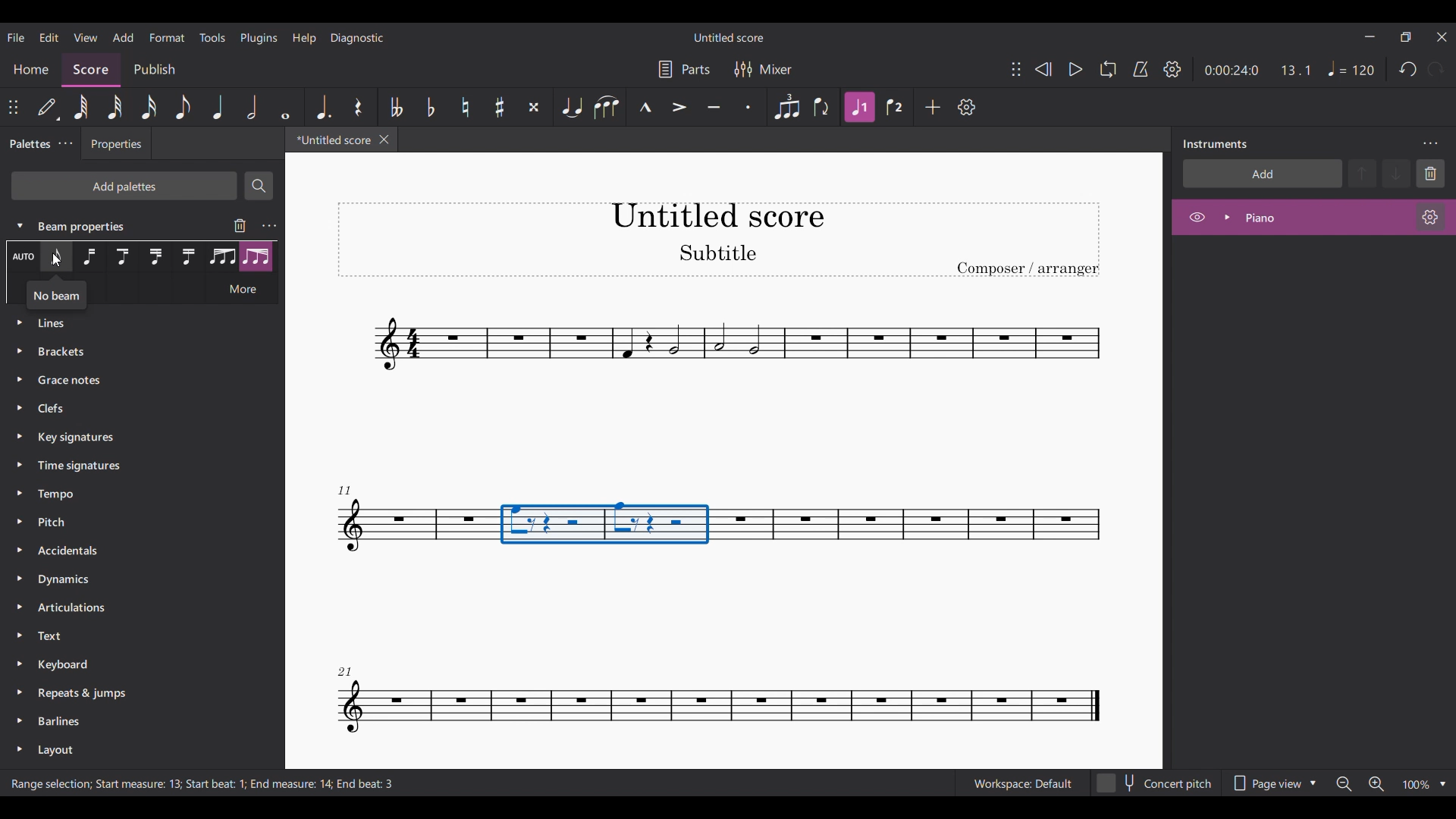 The image size is (1456, 819). What do you see at coordinates (1364, 172) in the screenshot?
I see `Move selected instrument up` at bounding box center [1364, 172].